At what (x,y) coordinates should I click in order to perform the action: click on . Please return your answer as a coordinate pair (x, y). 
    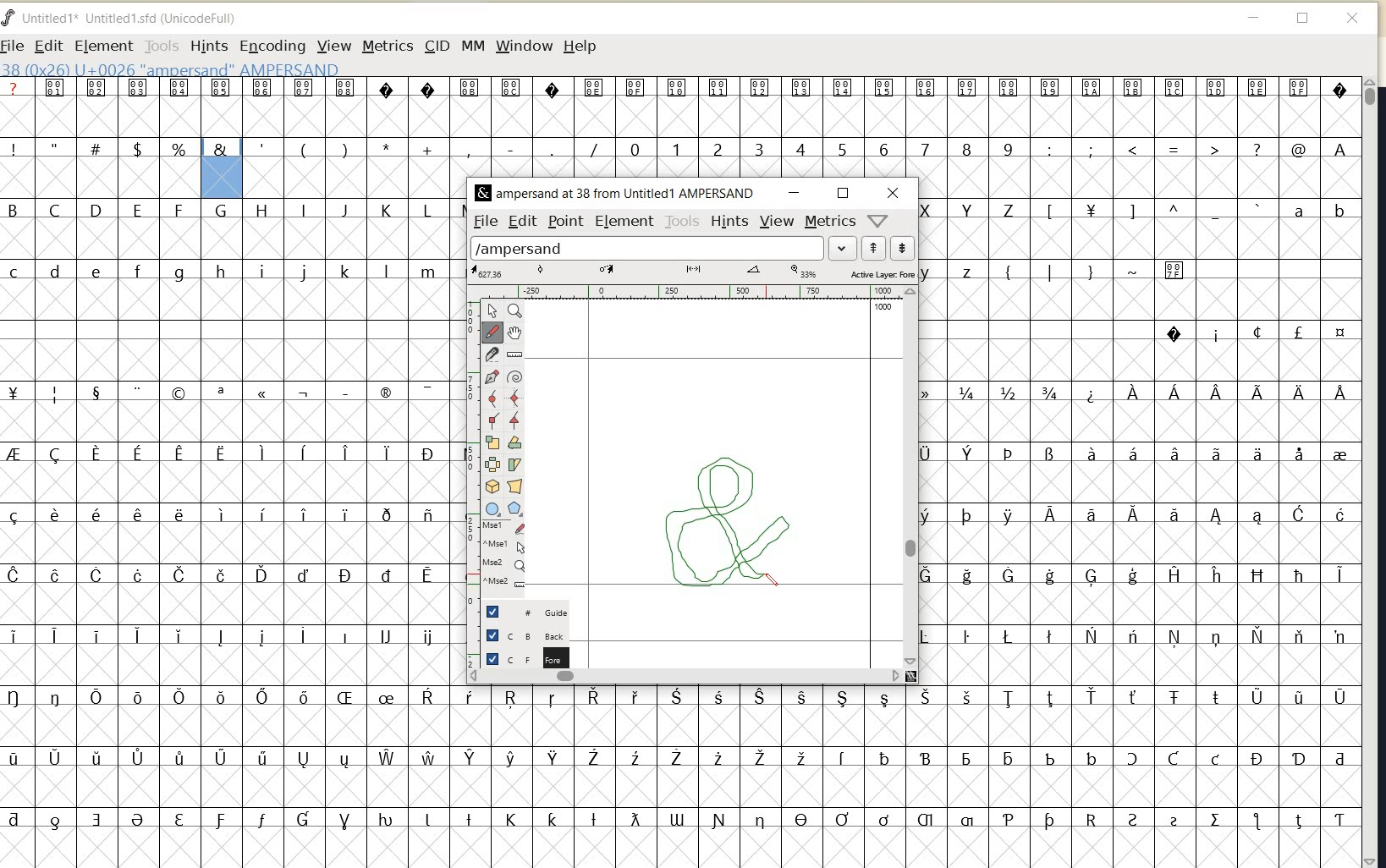
    Looking at the image, I should click on (493, 509).